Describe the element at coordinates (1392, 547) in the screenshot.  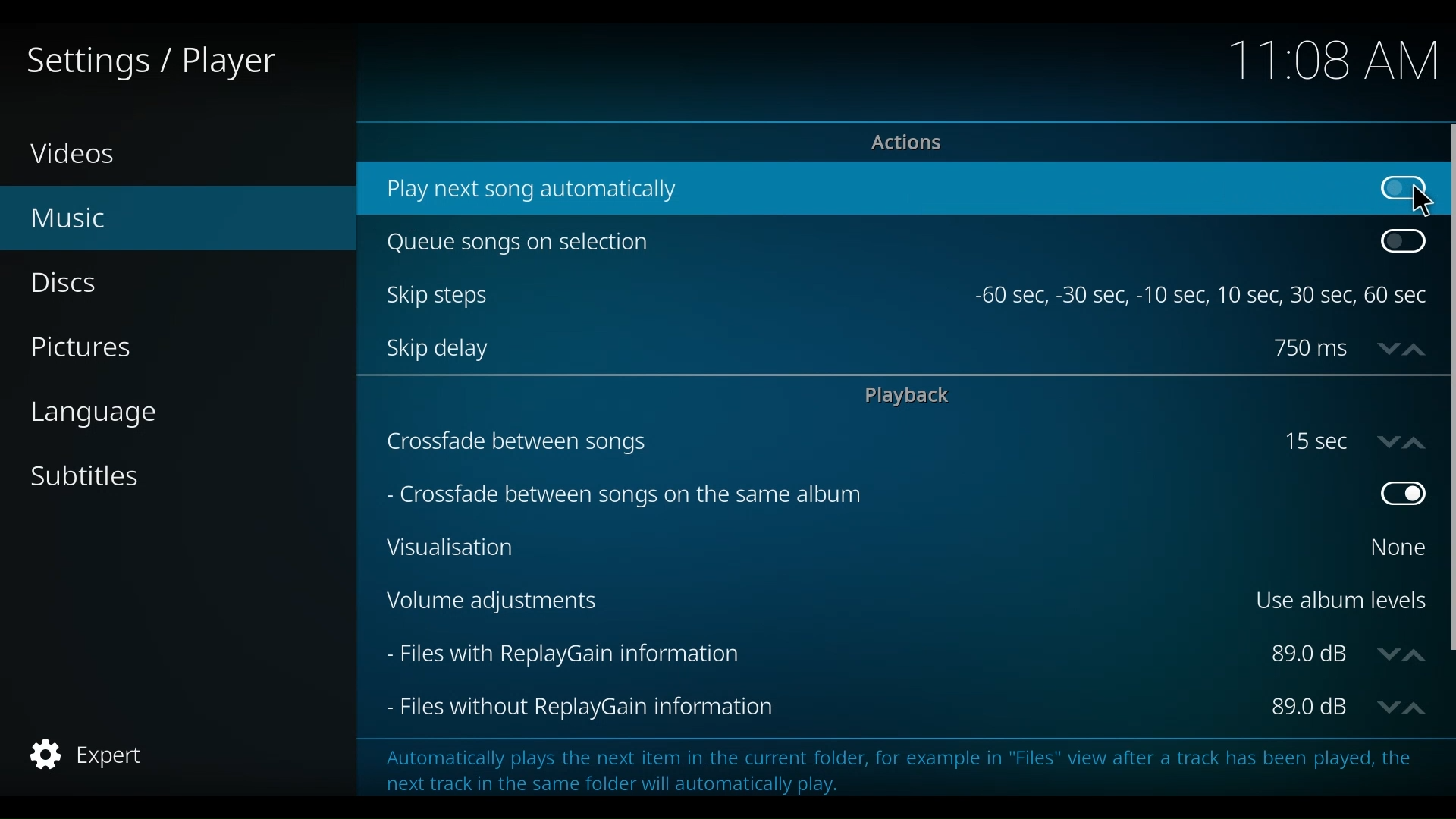
I see `Select Visualization` at that location.